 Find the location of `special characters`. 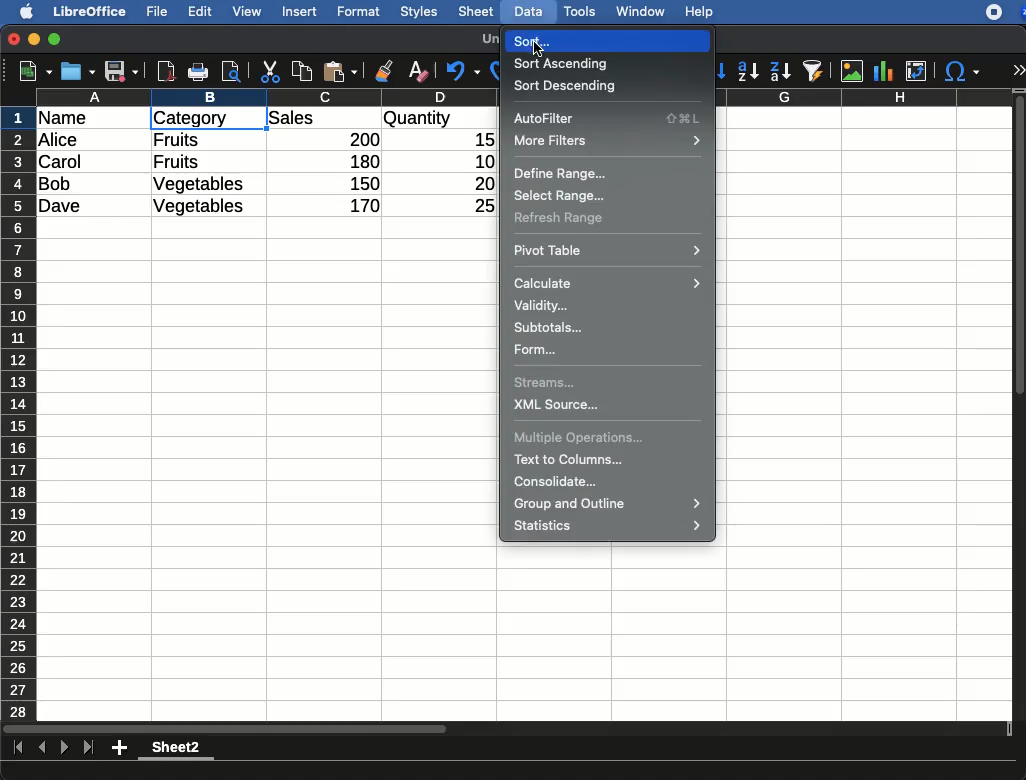

special characters is located at coordinates (960, 71).